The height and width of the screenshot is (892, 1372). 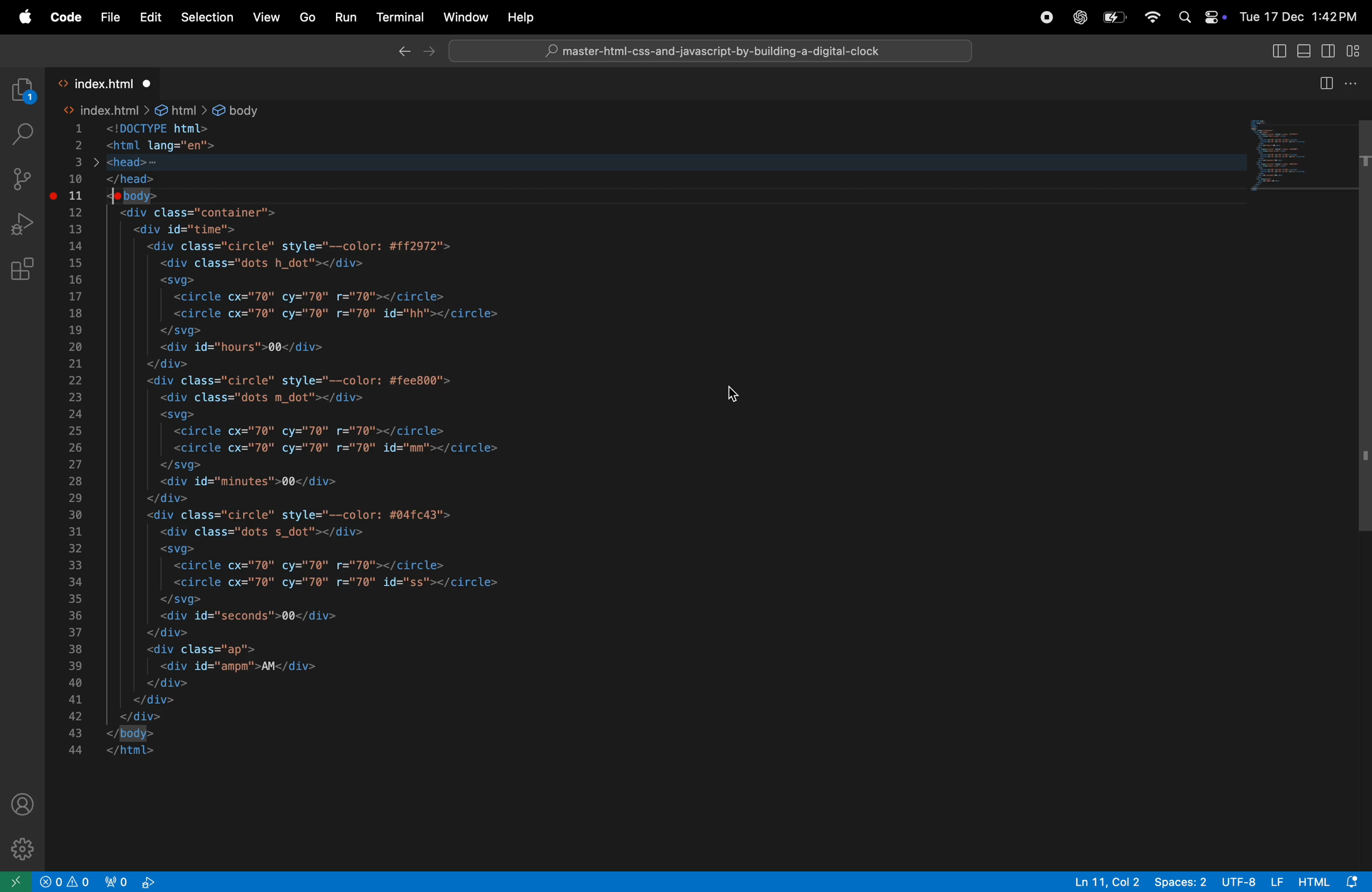 I want to click on explore, so click(x=24, y=92).